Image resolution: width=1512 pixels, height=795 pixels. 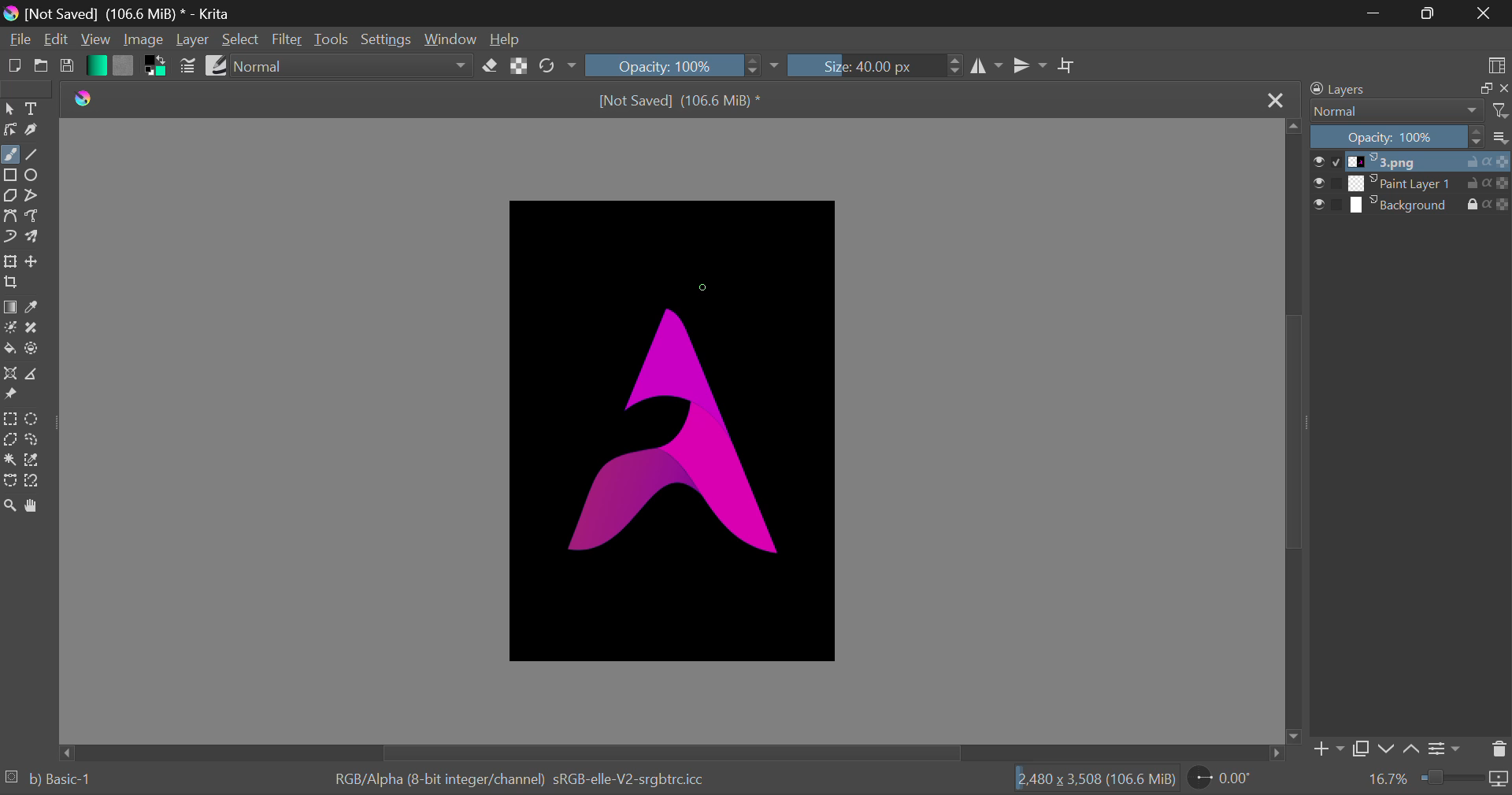 I want to click on duration, so click(x=1466, y=779).